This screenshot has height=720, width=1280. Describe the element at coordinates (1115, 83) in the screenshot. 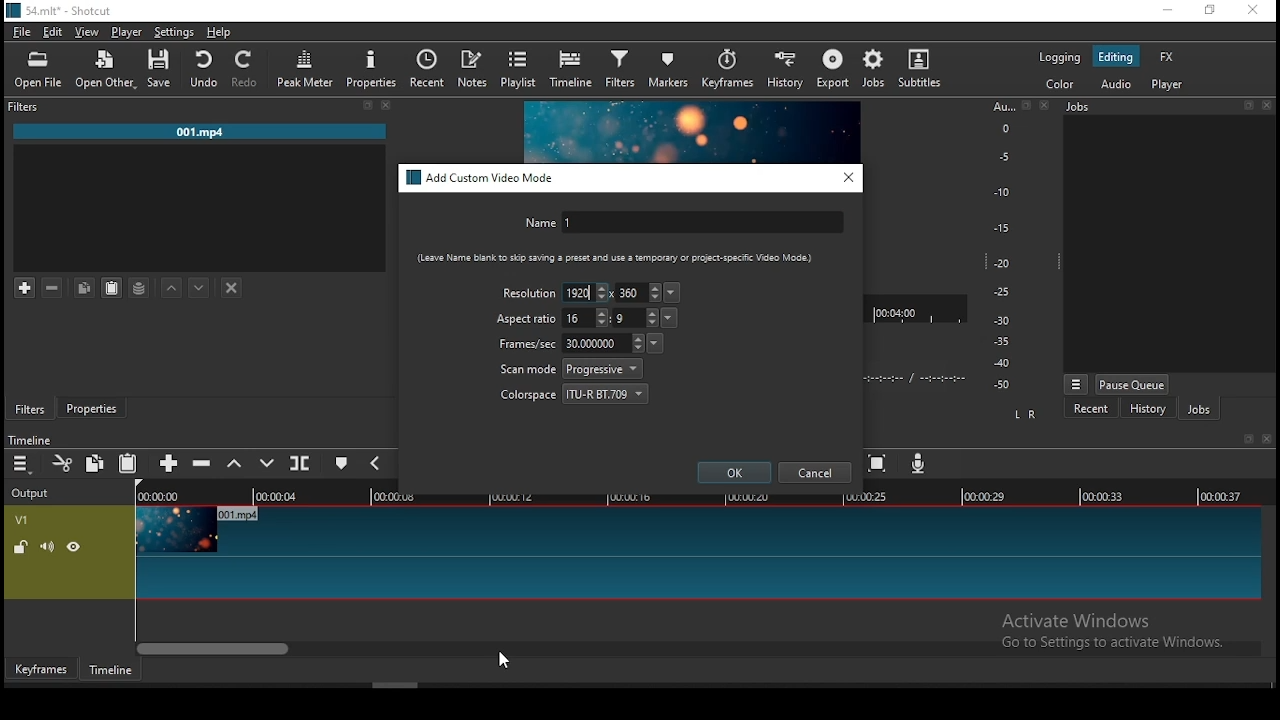

I see `audio` at that location.